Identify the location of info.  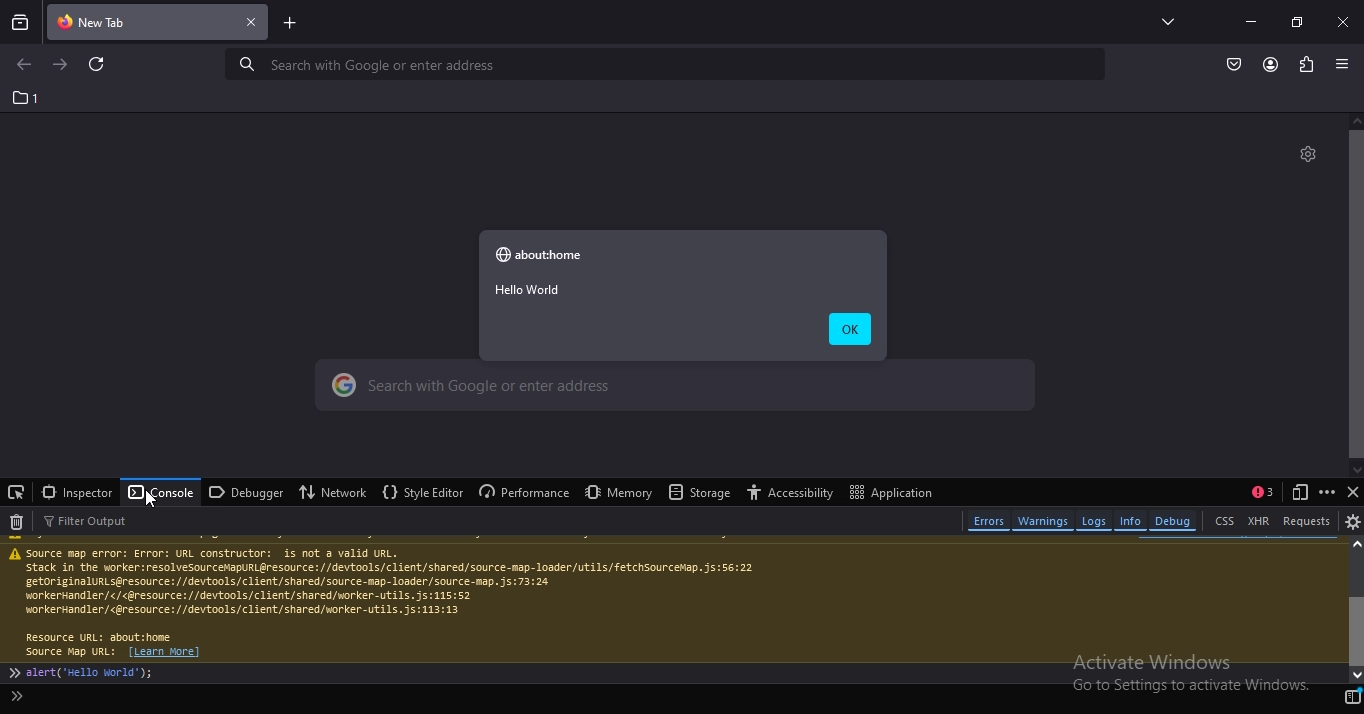
(1130, 521).